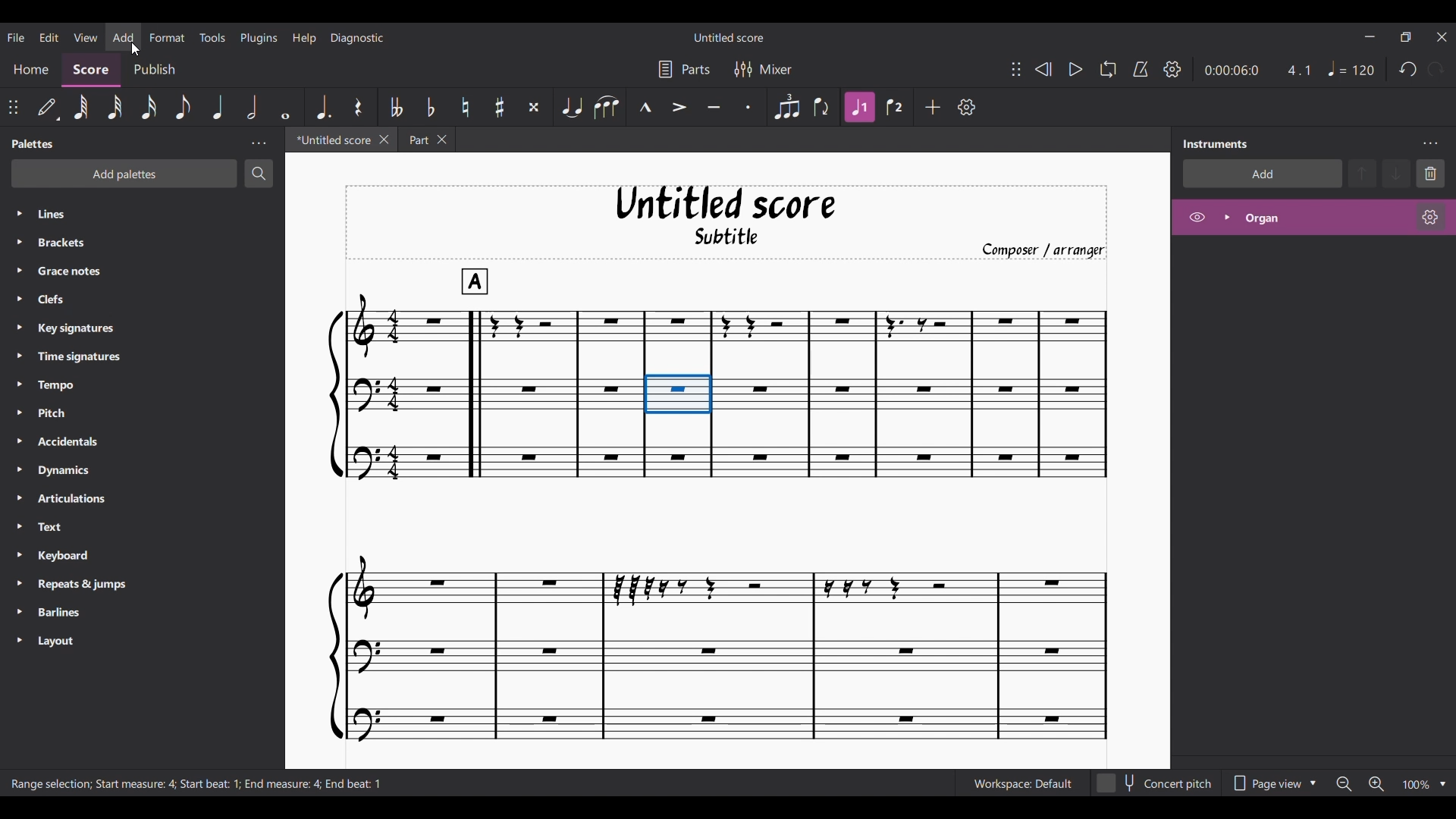 The image size is (1456, 819). I want to click on Format menu, so click(167, 37).